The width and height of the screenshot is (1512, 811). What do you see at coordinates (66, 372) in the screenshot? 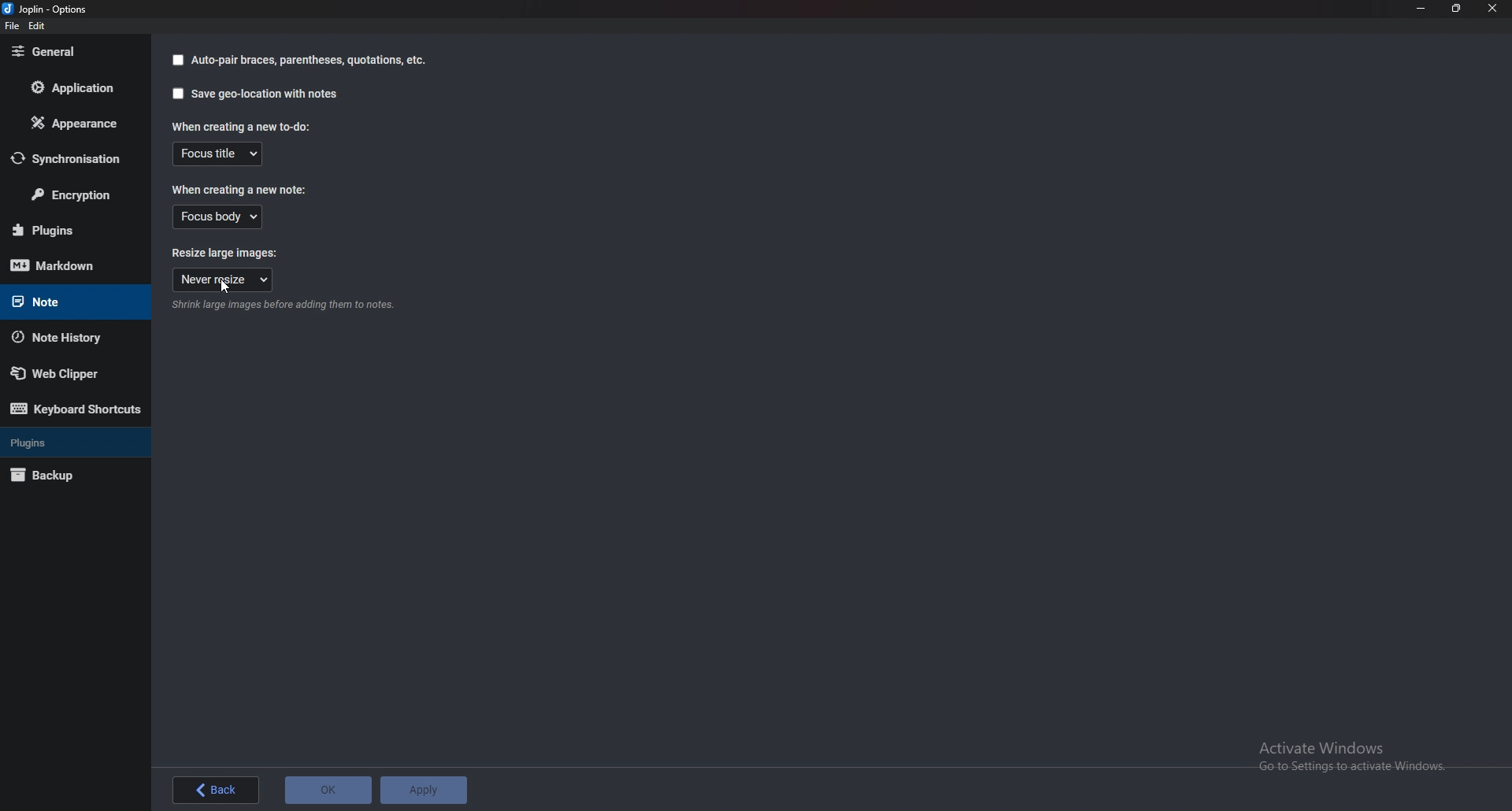
I see `Web Clipper` at bounding box center [66, 372].